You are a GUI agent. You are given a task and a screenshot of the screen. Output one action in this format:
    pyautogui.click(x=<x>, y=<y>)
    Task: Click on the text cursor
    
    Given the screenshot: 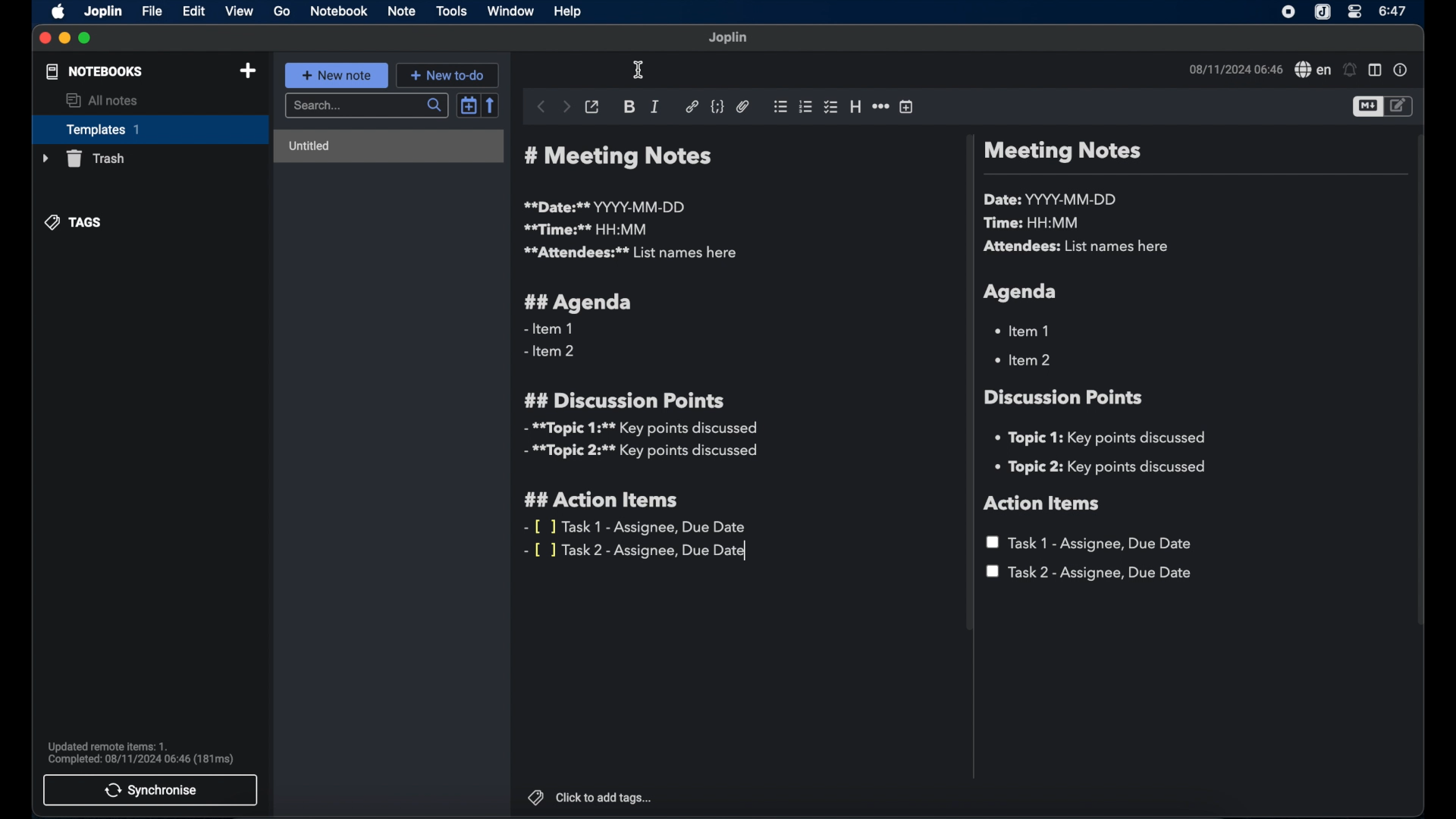 What is the action you would take?
    pyautogui.click(x=638, y=71)
    